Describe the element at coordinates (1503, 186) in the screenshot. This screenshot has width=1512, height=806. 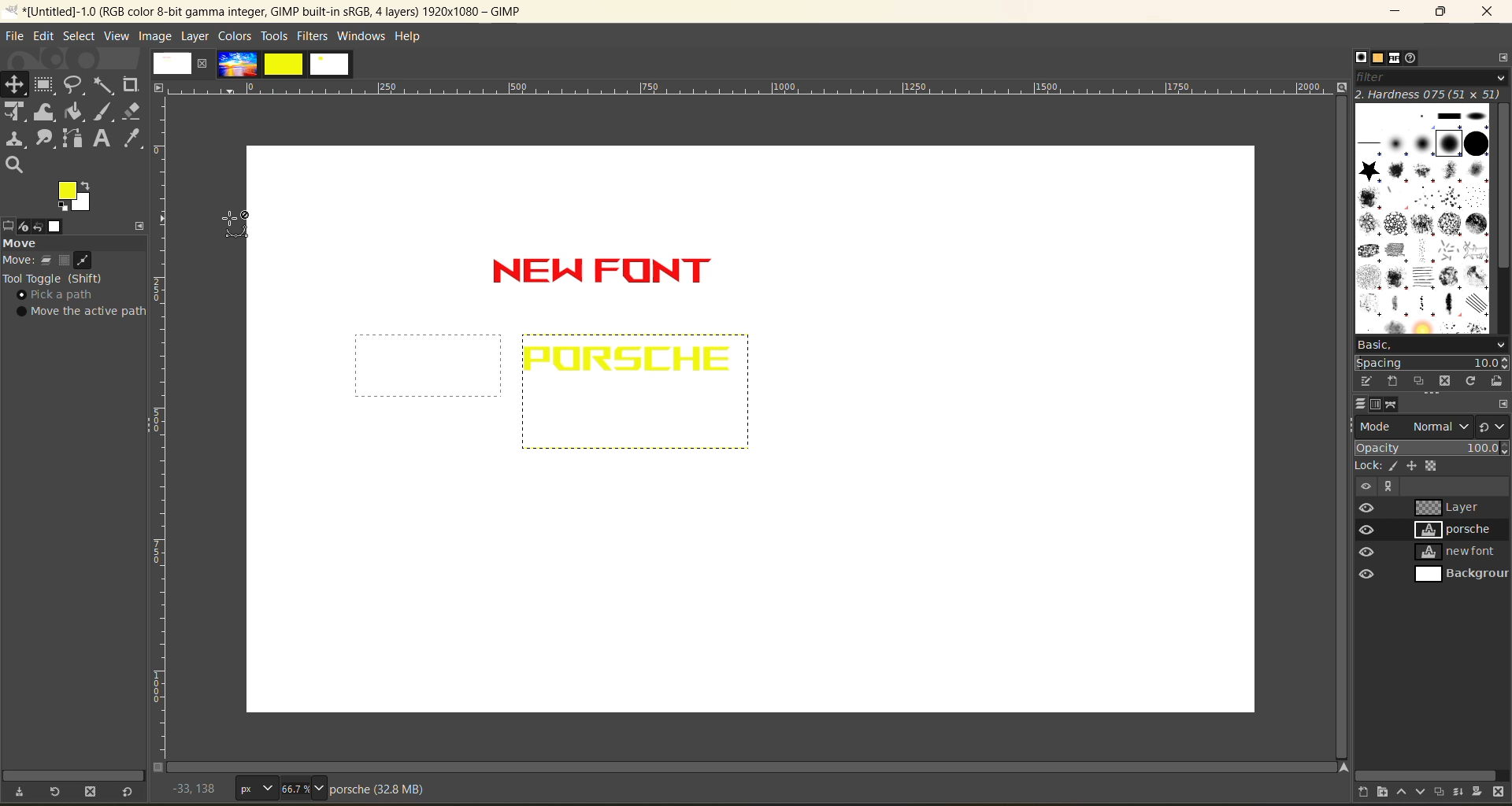
I see `vertical scroll bar` at that location.